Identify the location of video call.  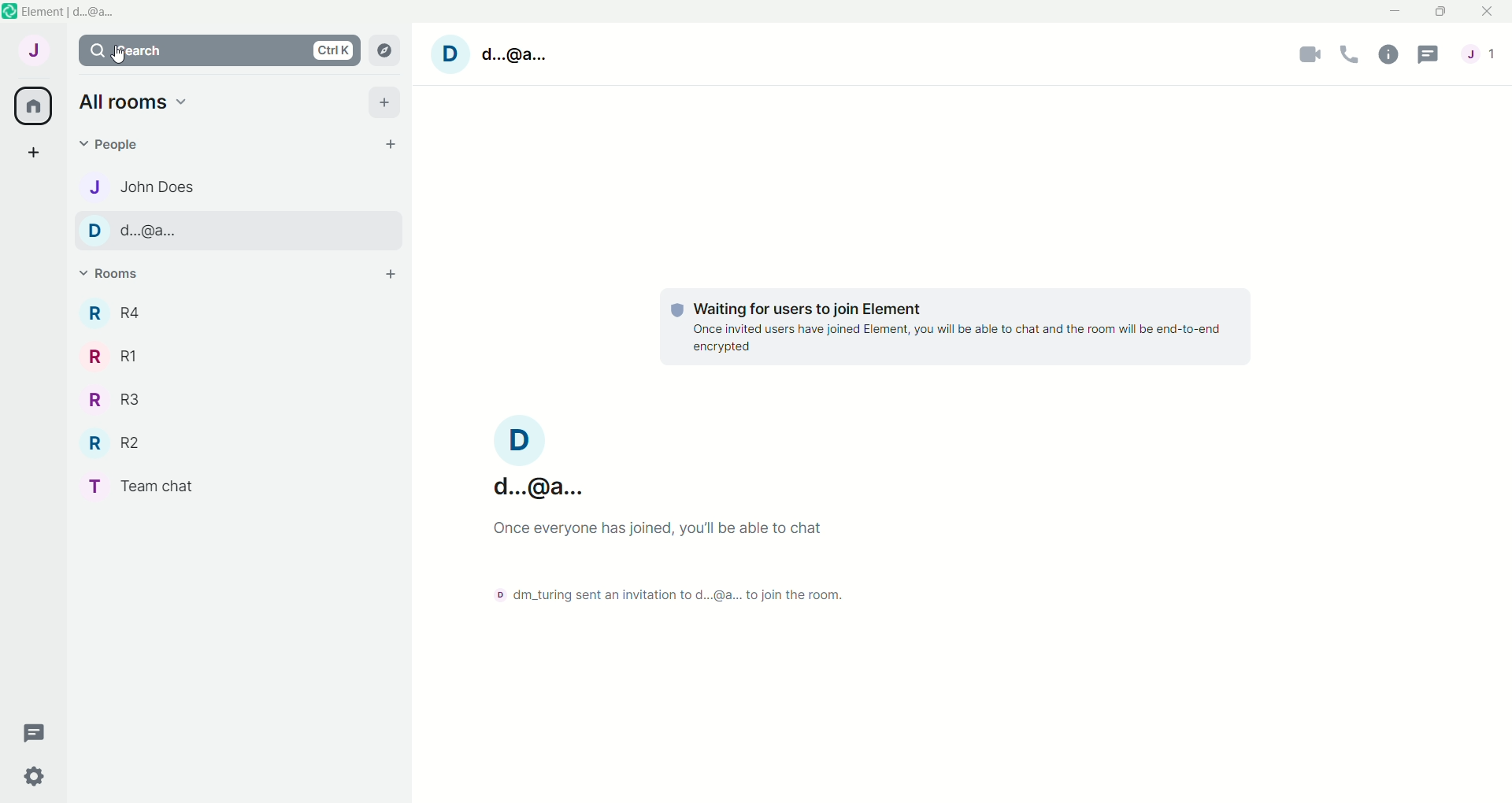
(1310, 54).